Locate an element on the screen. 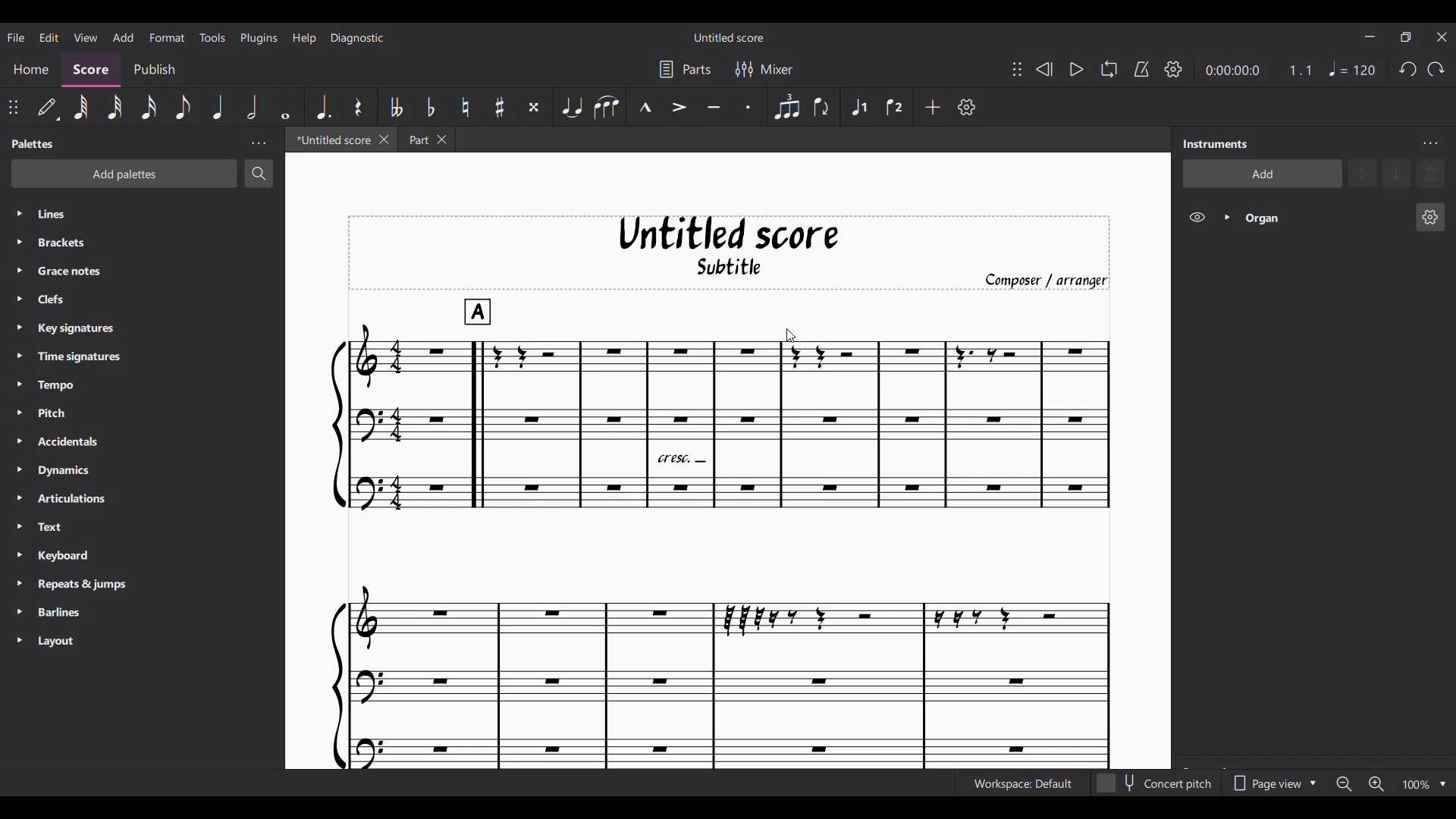 Image resolution: width=1456 pixels, height=819 pixels. Change position of toolbar attached is located at coordinates (14, 108).